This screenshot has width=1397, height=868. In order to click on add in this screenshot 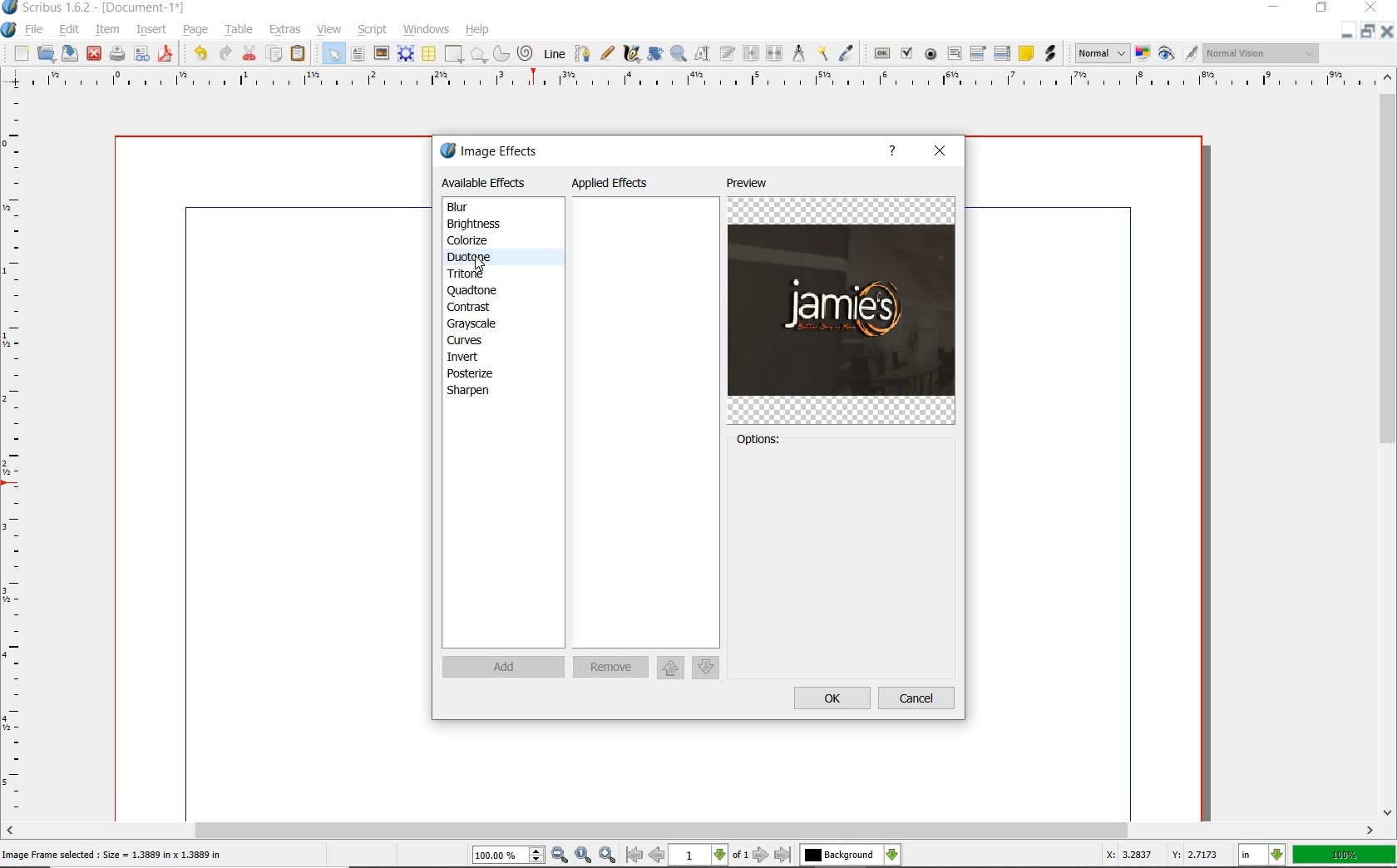, I will do `click(504, 668)`.